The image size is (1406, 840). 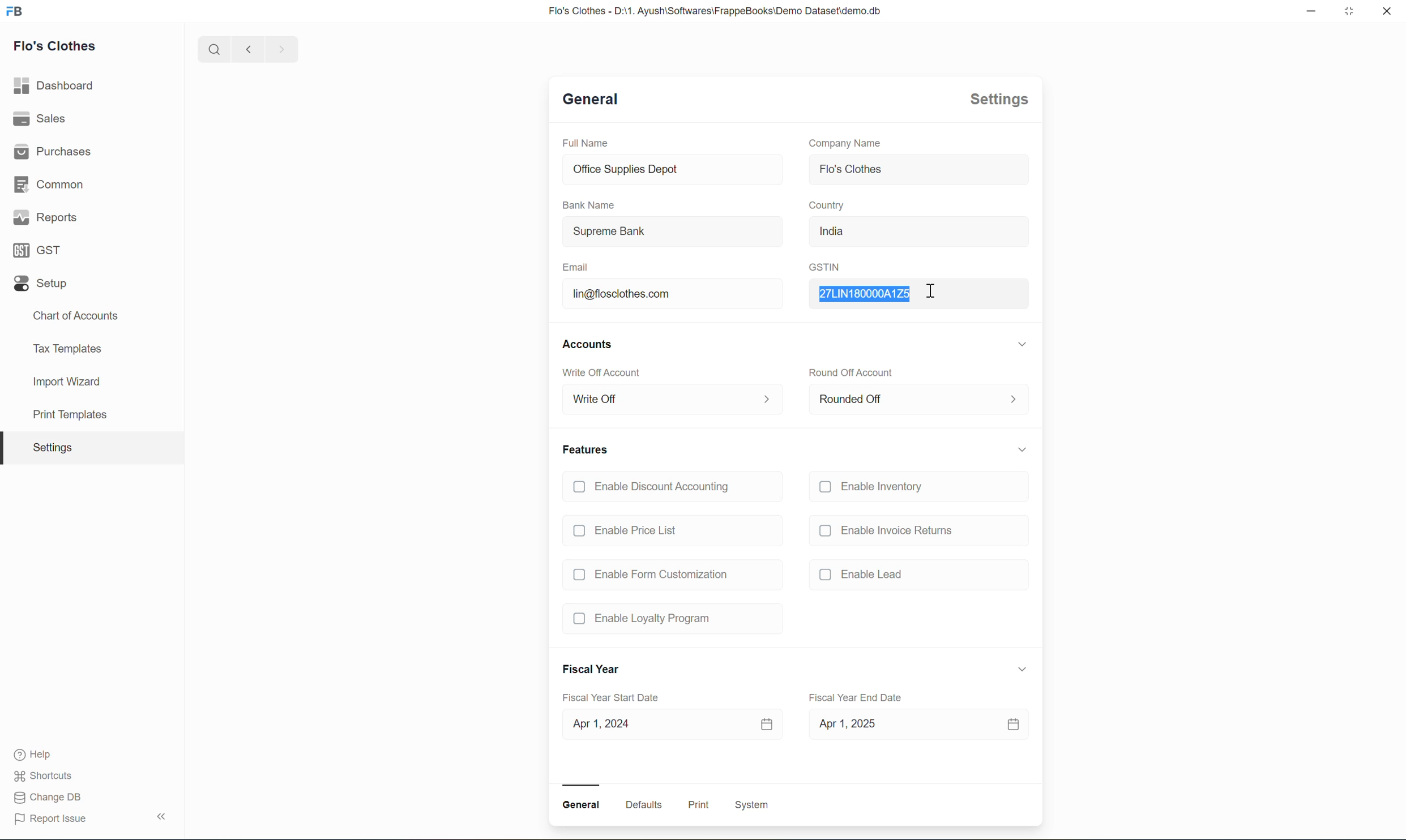 I want to click on Reports, so click(x=45, y=220).